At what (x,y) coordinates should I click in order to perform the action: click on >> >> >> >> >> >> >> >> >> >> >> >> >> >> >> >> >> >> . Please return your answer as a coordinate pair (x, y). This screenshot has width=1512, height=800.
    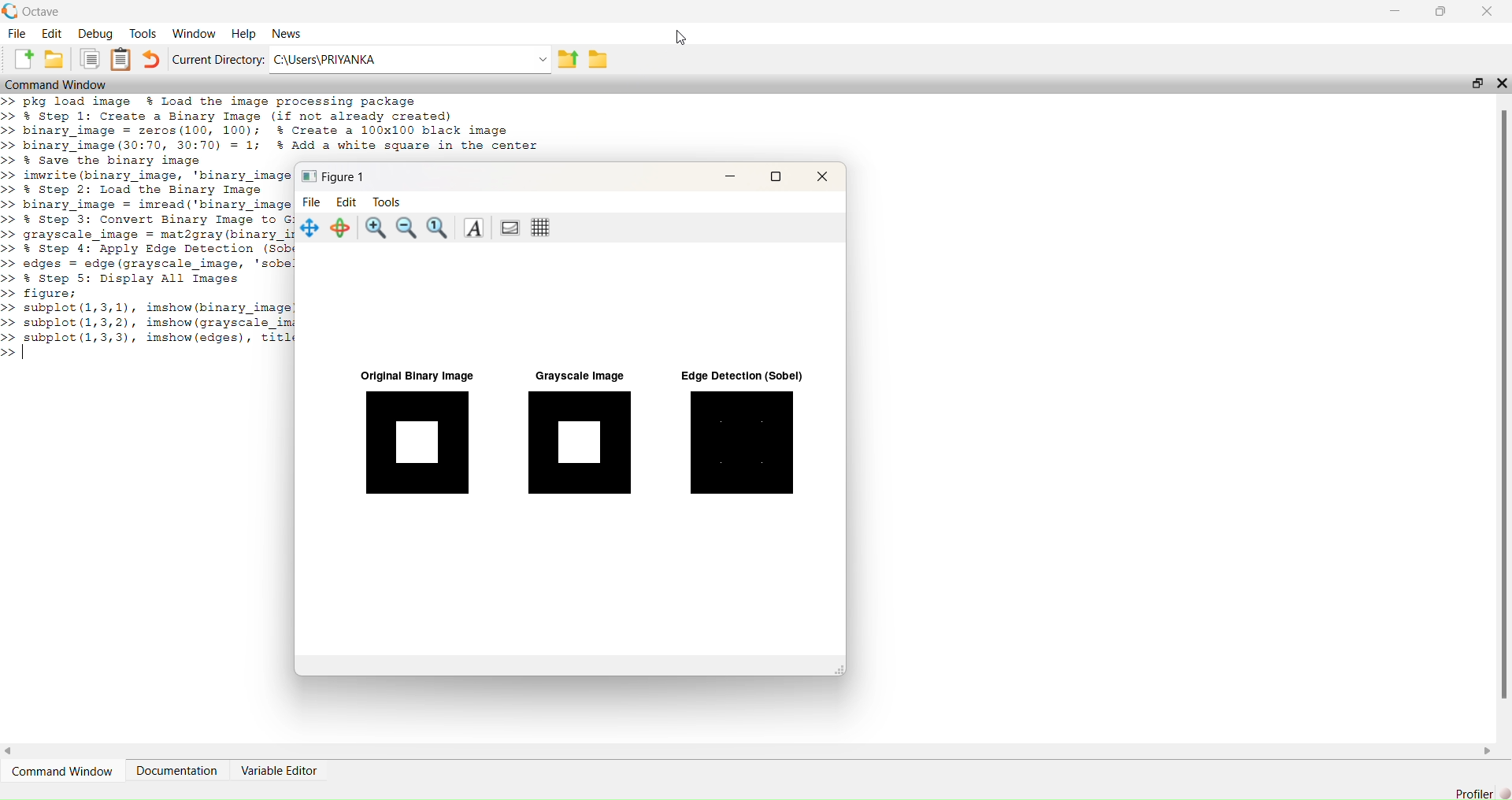
    Looking at the image, I should click on (9, 228).